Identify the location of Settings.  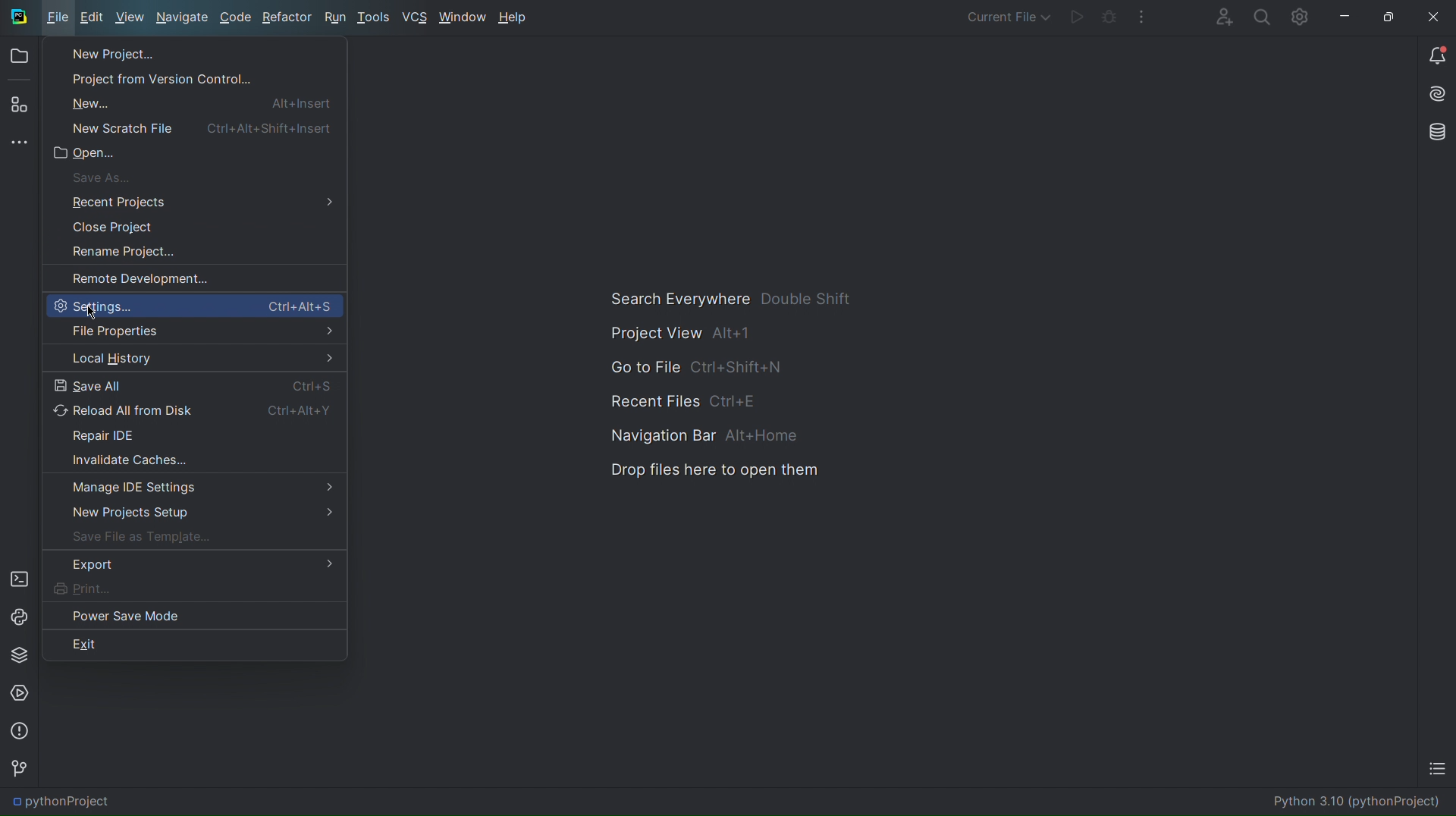
(1300, 17).